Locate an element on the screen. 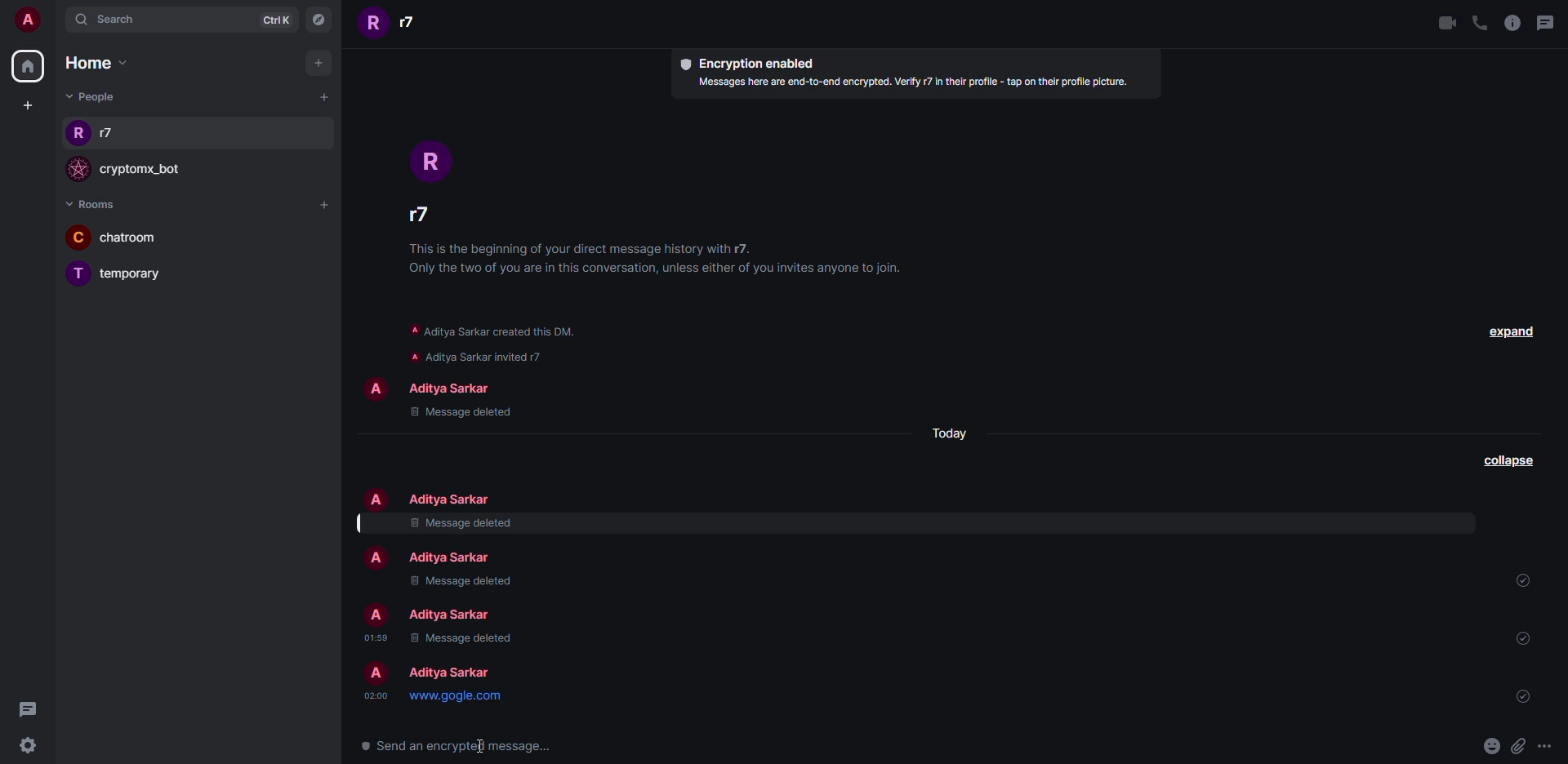 Image resolution: width=1568 pixels, height=764 pixels. people is located at coordinates (451, 500).